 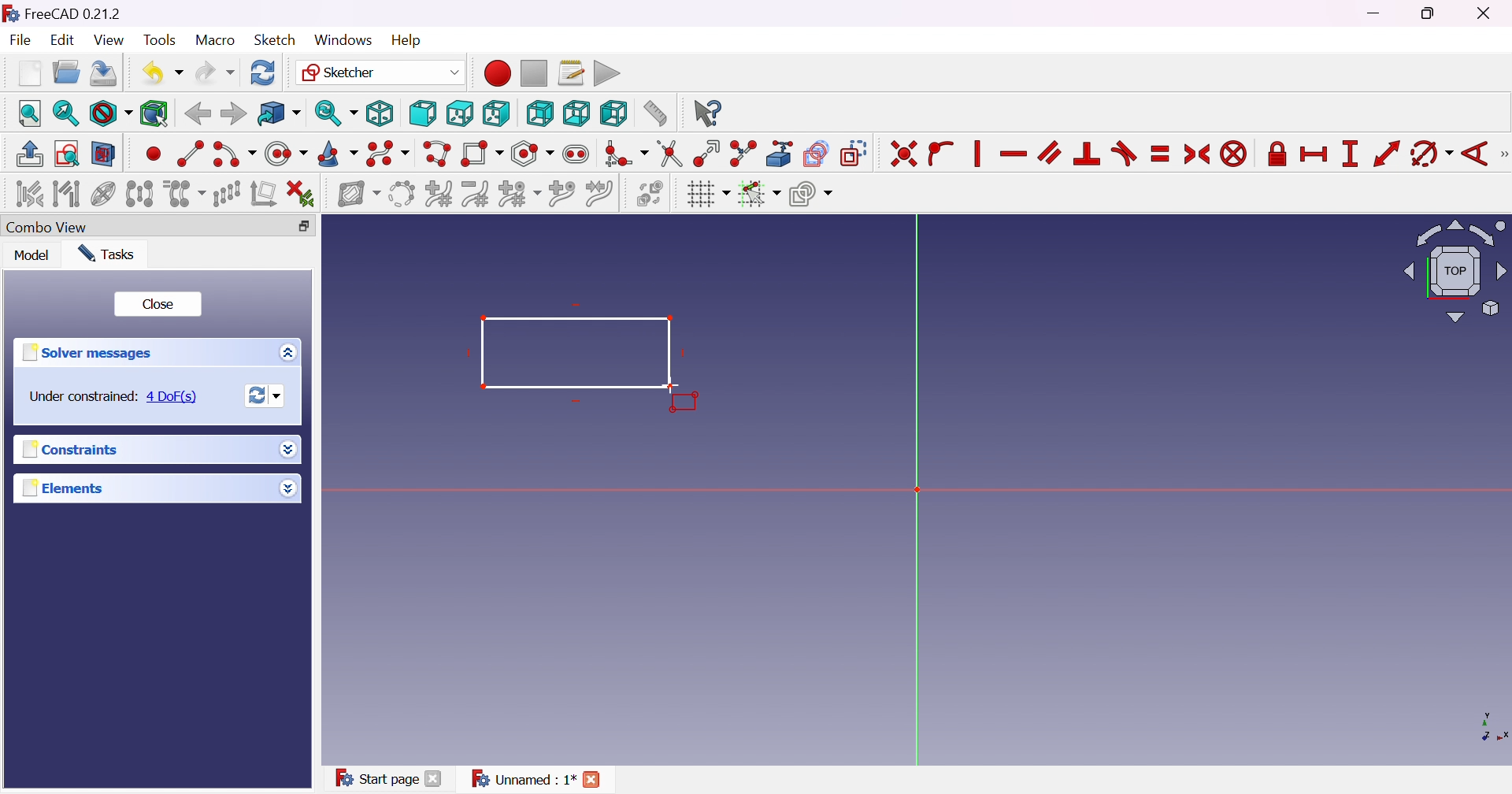 I want to click on Sync view, so click(x=336, y=113).